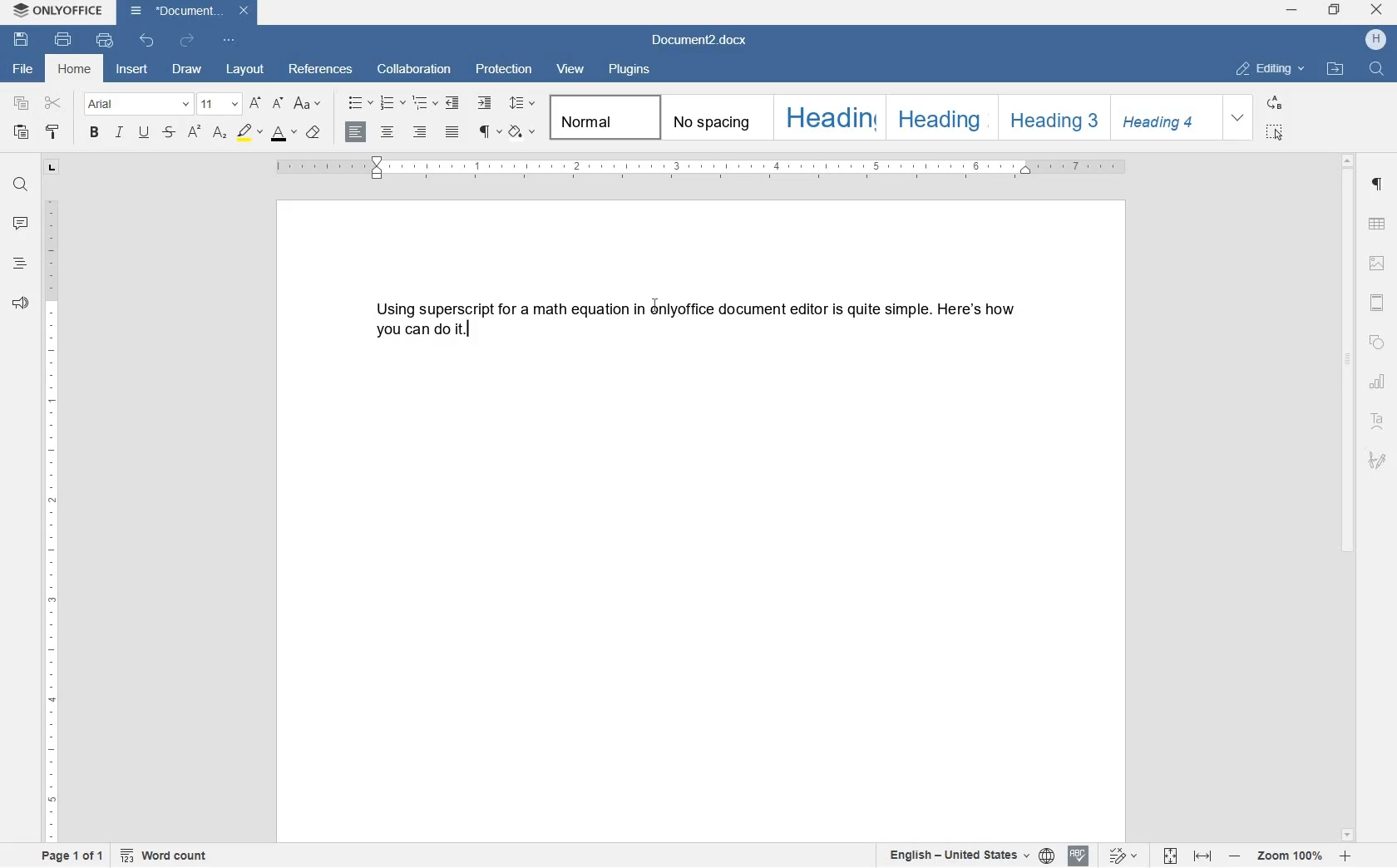 This screenshot has width=1397, height=868. I want to click on paragraph line spacing, so click(521, 102).